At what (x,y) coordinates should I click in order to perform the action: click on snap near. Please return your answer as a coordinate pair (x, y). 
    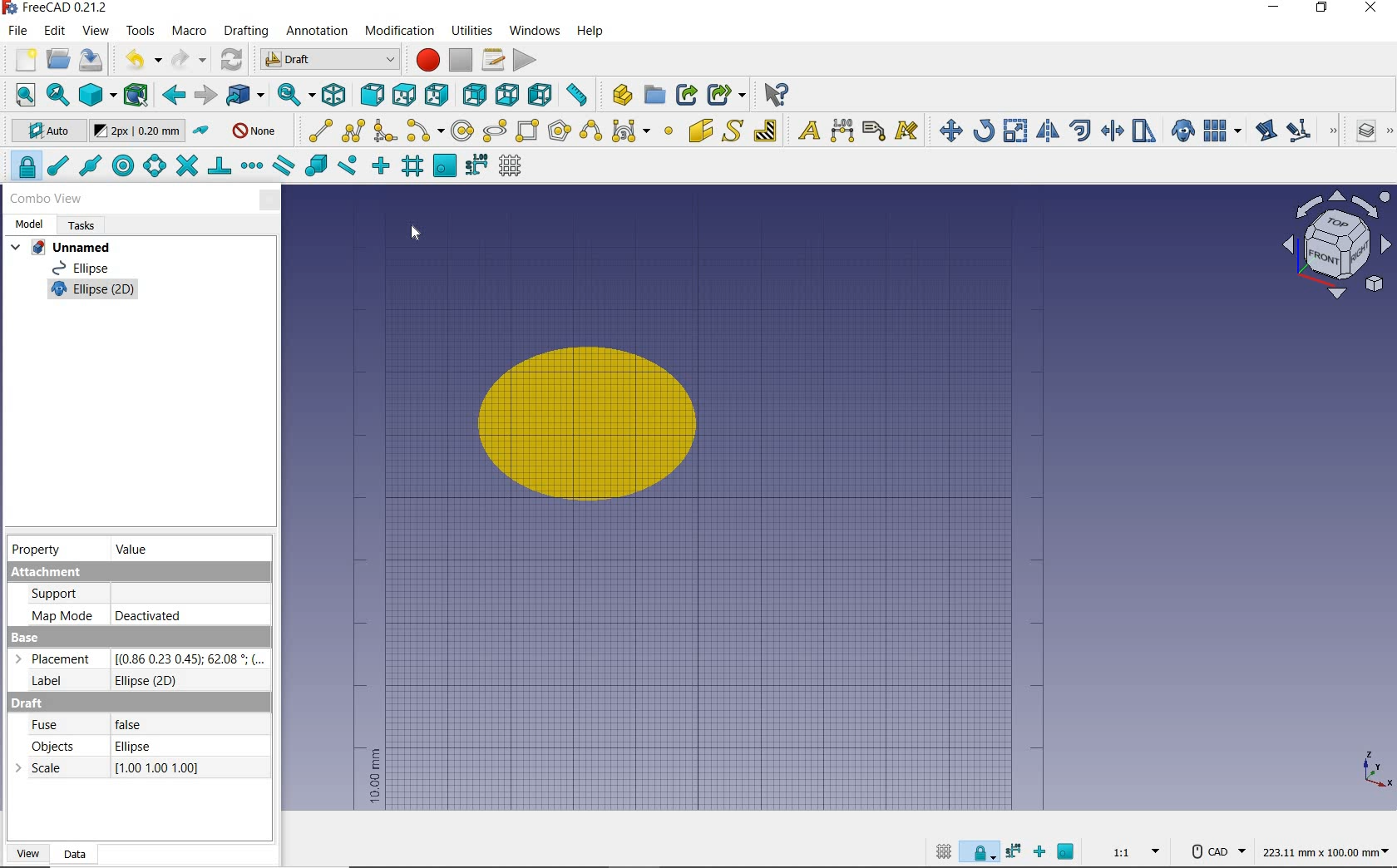
    Looking at the image, I should click on (350, 168).